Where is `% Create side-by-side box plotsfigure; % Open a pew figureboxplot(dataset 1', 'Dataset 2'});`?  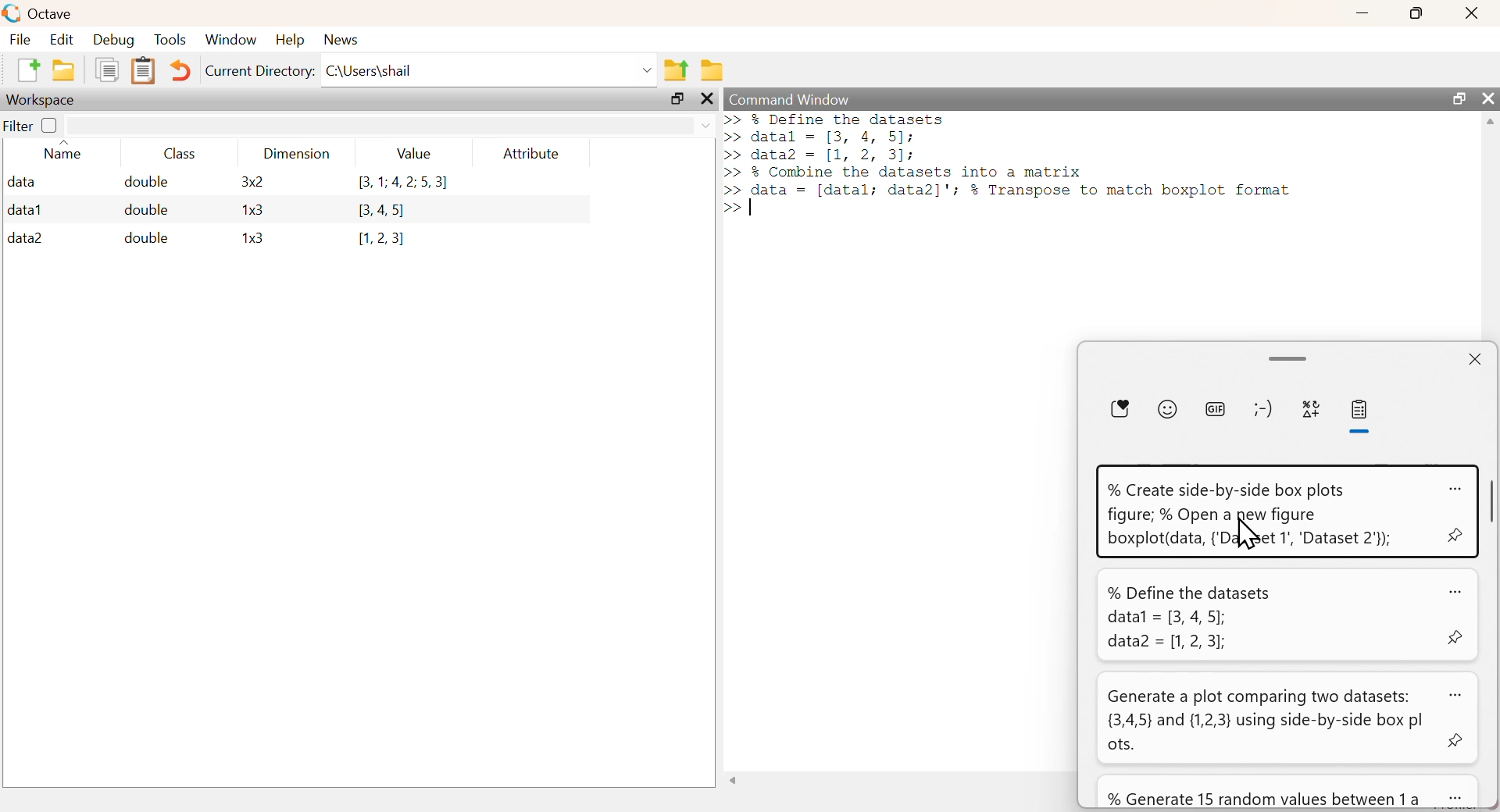
% Create side-by-side box plotsfigure; % Open a pew figureboxplot(dataset 1', 'Dataset 2'}); is located at coordinates (1250, 516).